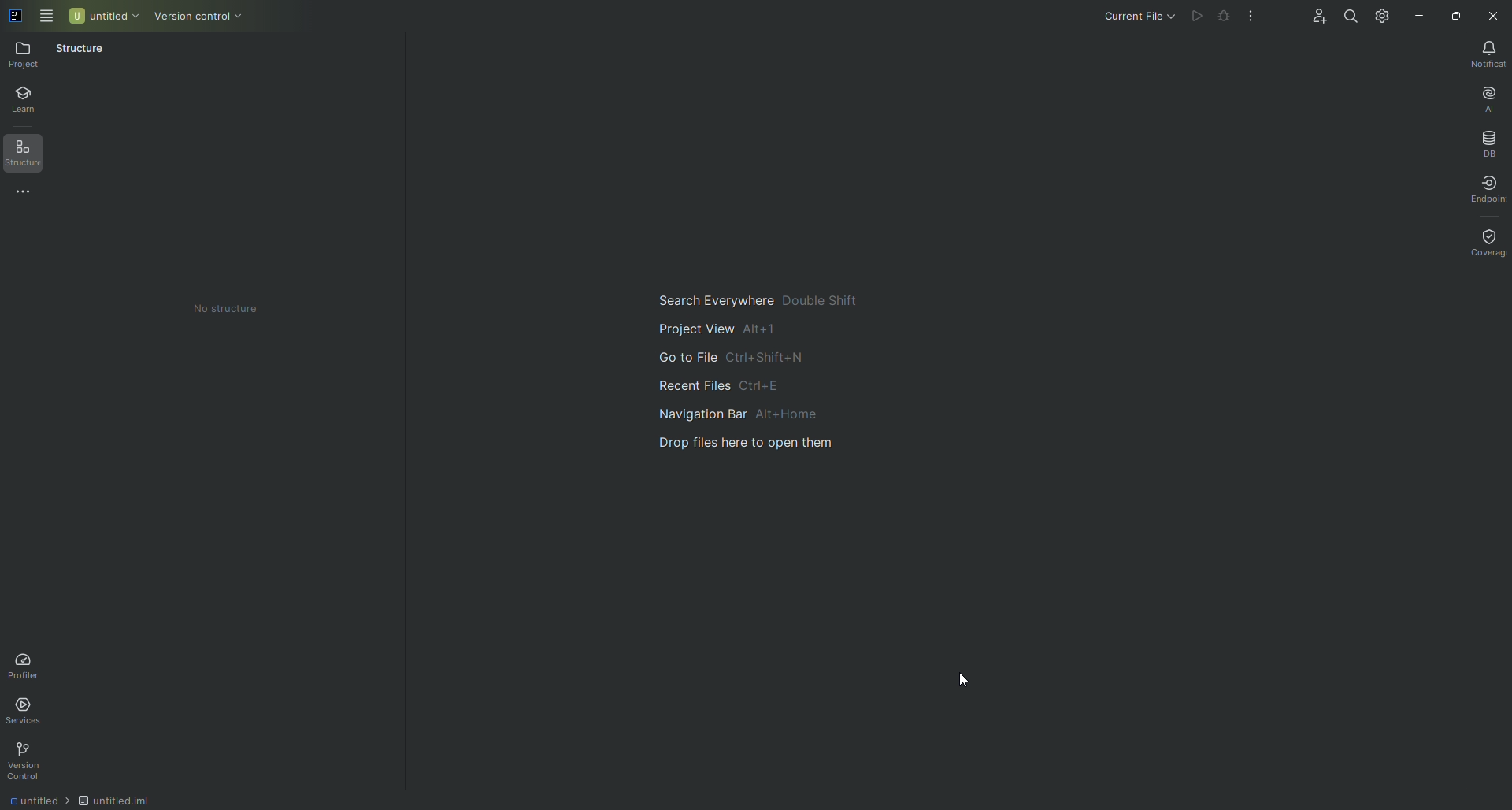  I want to click on Learn, so click(31, 102).